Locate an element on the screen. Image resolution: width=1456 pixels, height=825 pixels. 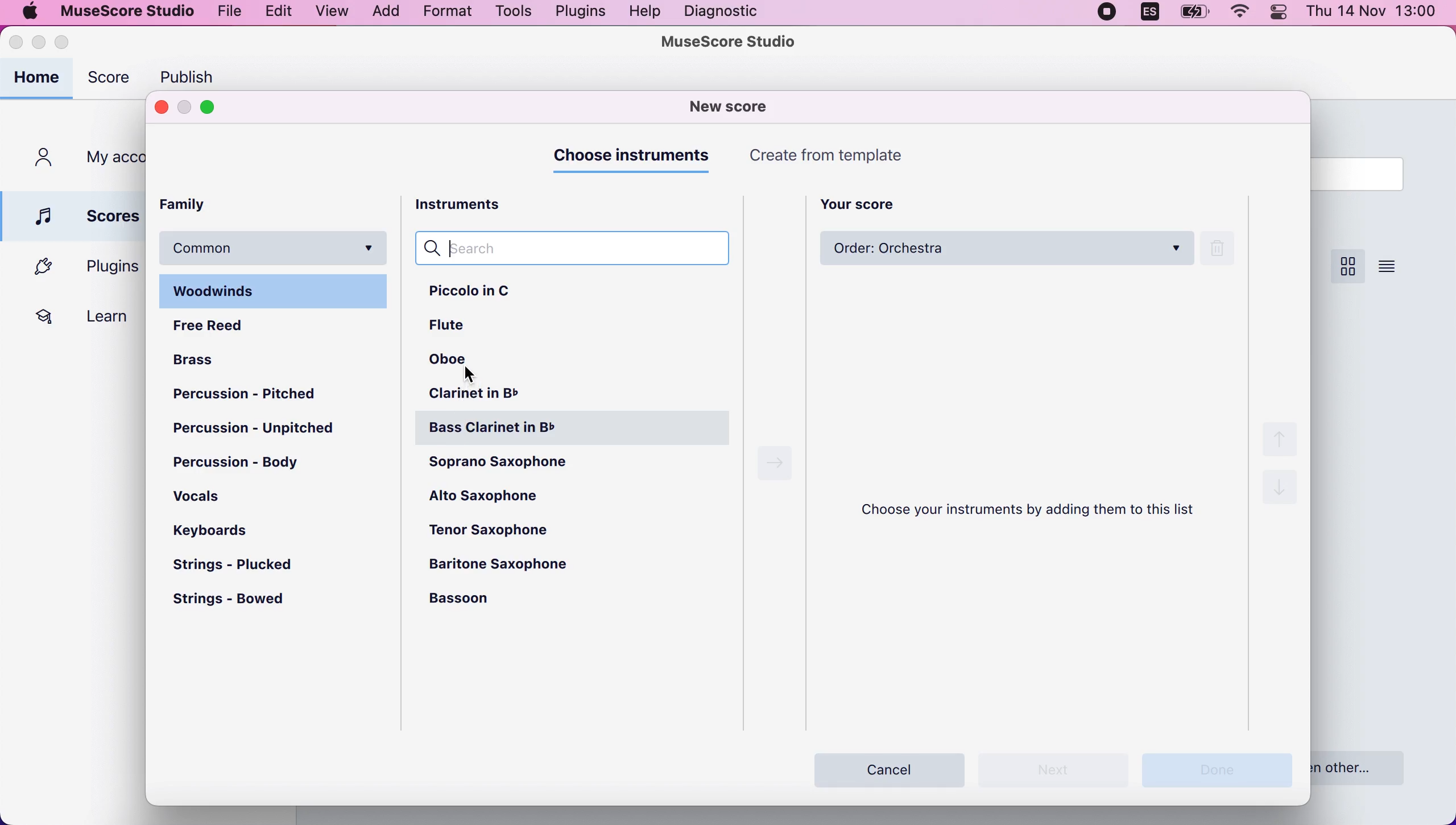
tenor saxophone is located at coordinates (506, 529).